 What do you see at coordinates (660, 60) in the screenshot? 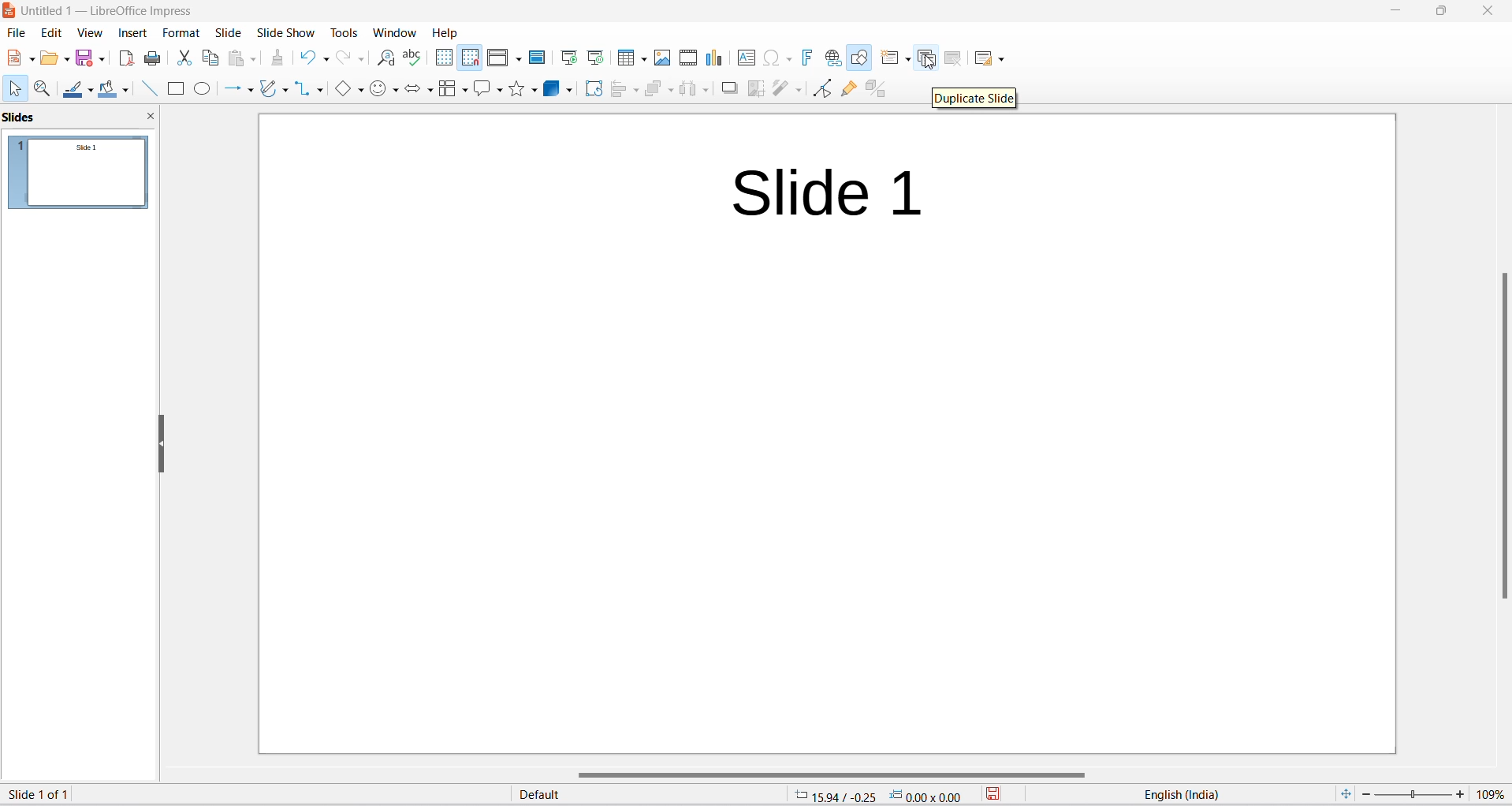
I see `insert images` at bounding box center [660, 60].